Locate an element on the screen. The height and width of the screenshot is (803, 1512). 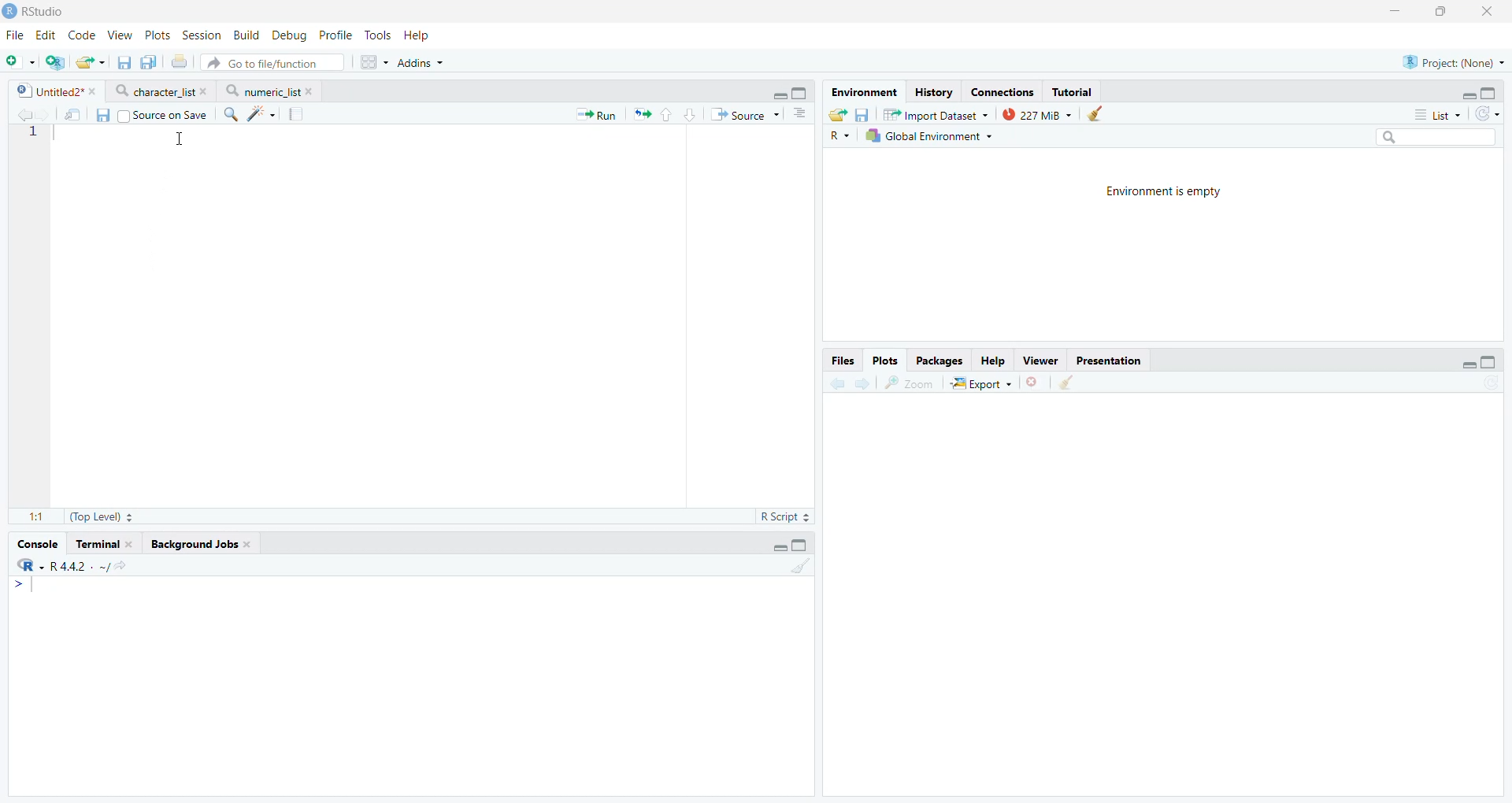
Console is located at coordinates (410, 686).